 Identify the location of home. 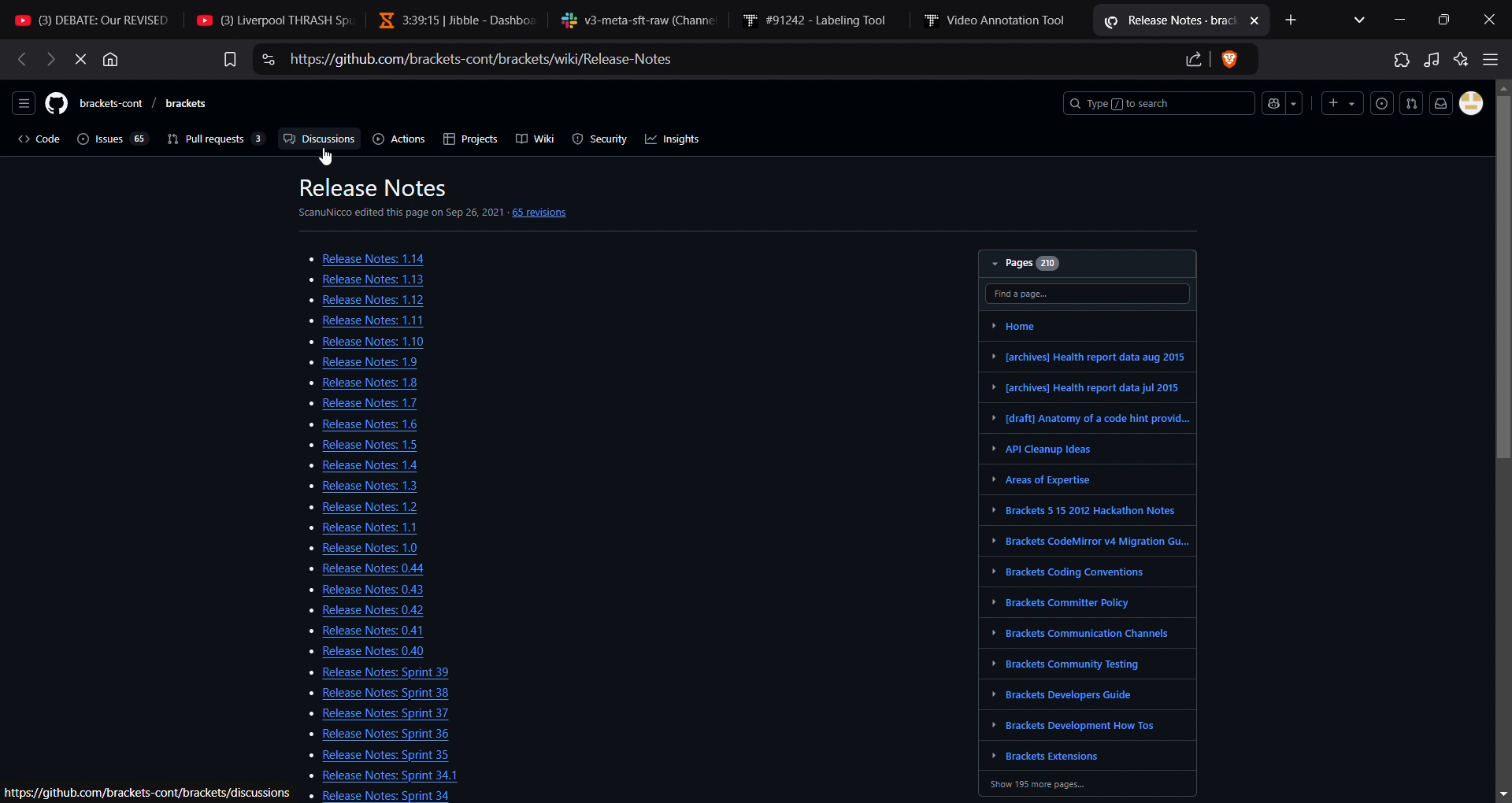
(1033, 324).